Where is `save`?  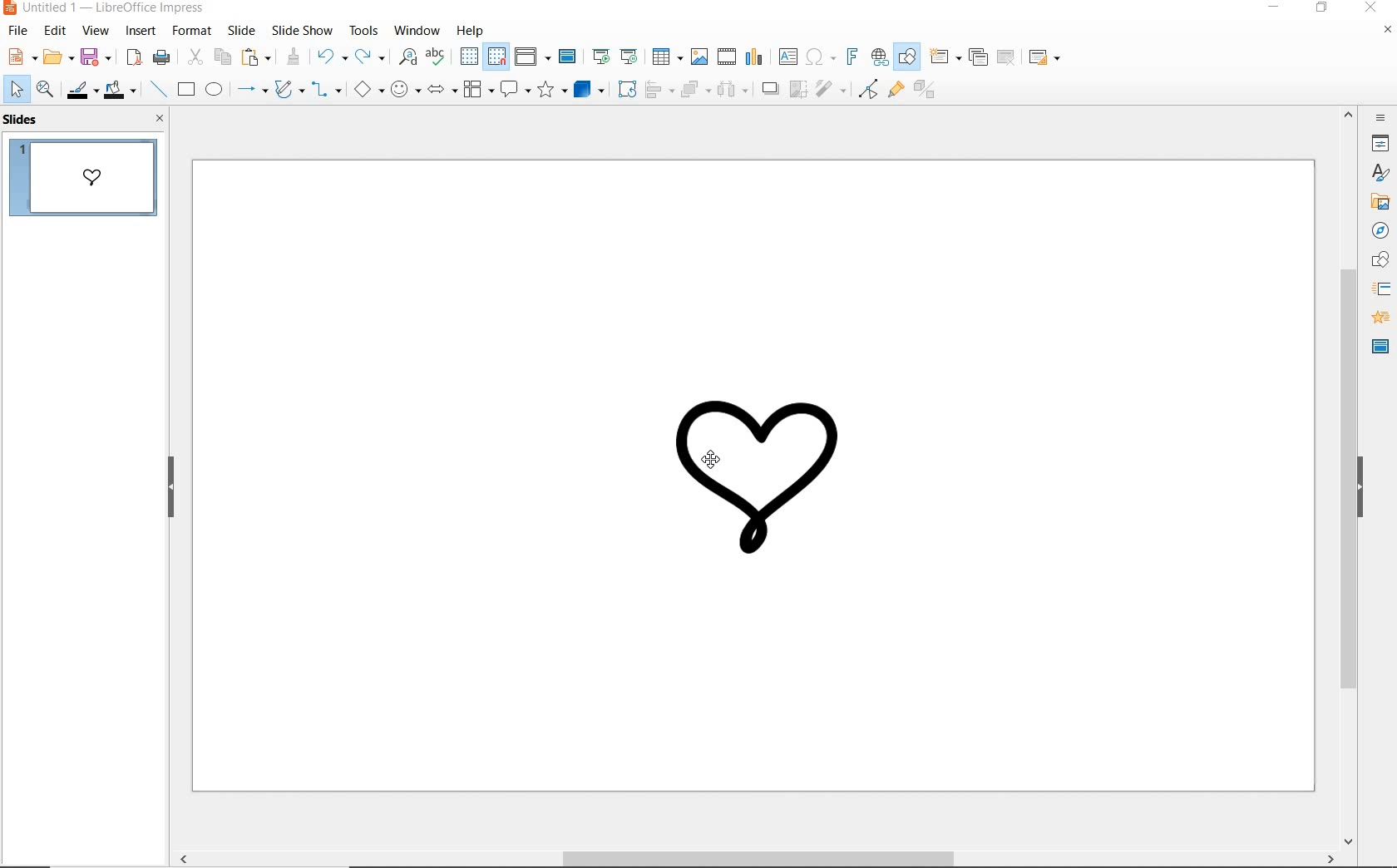
save is located at coordinates (96, 57).